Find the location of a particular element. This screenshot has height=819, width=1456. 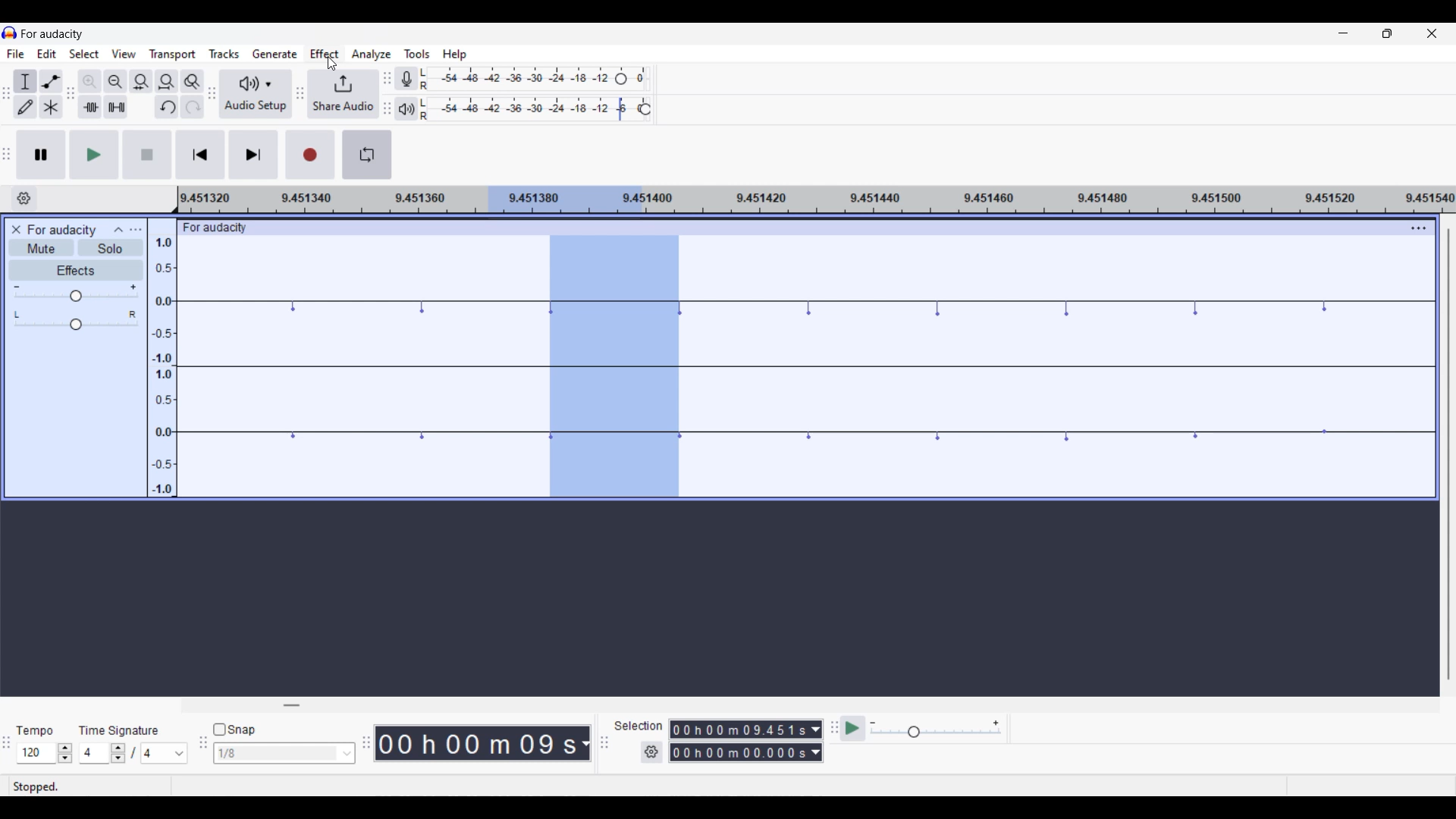

Share audio is located at coordinates (343, 94).